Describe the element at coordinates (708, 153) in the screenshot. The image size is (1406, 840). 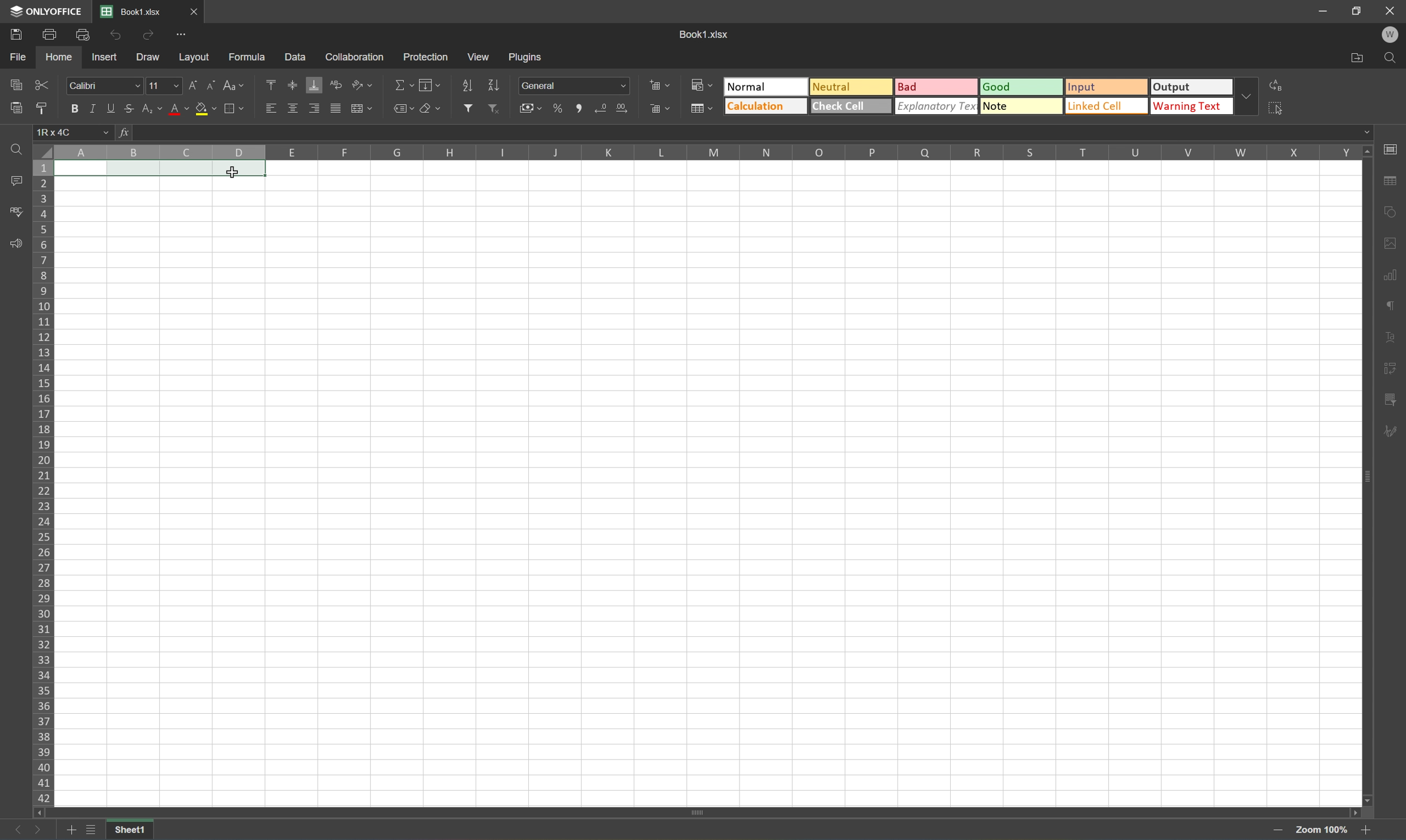
I see `Column names` at that location.